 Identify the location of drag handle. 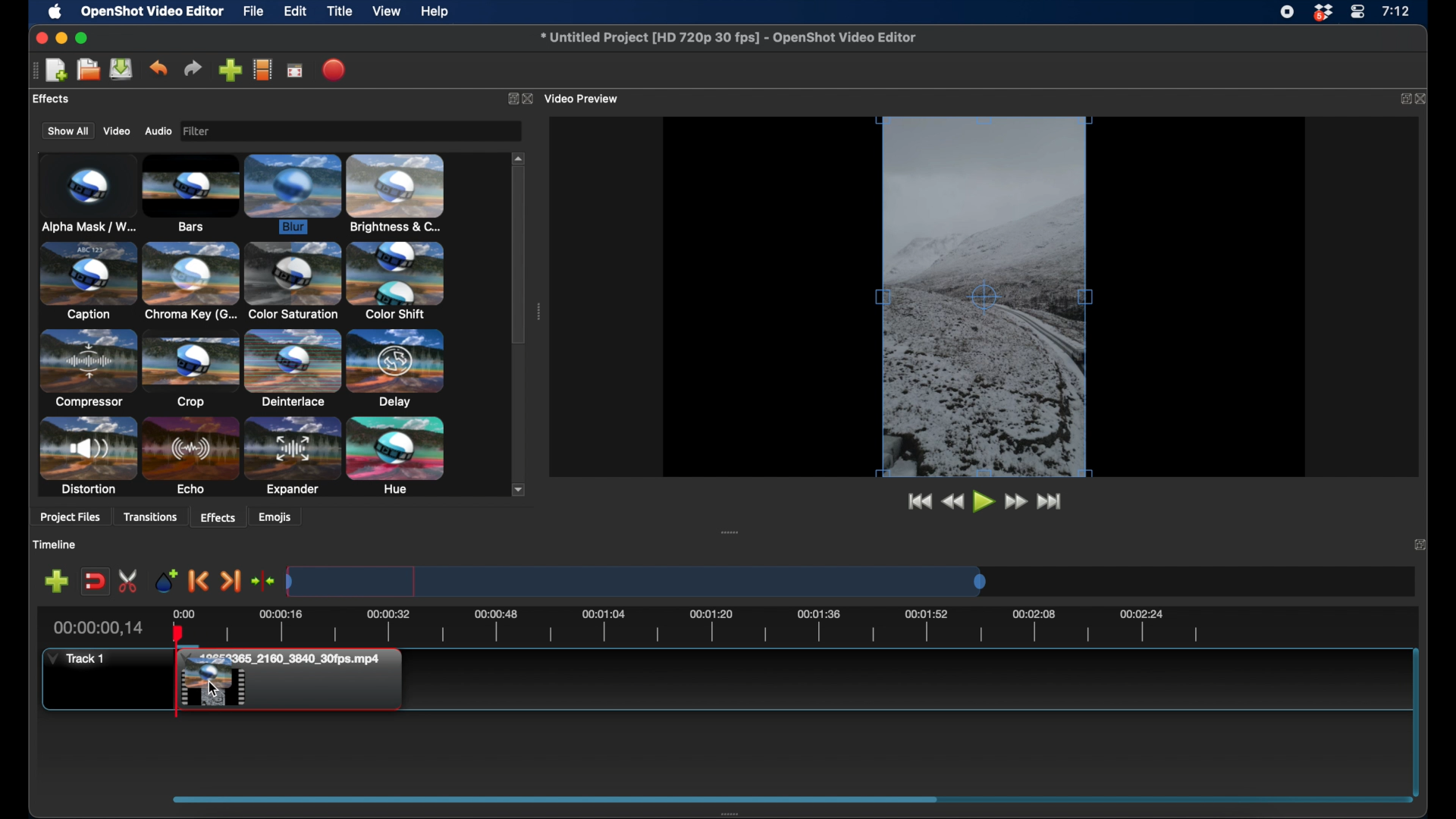
(555, 798).